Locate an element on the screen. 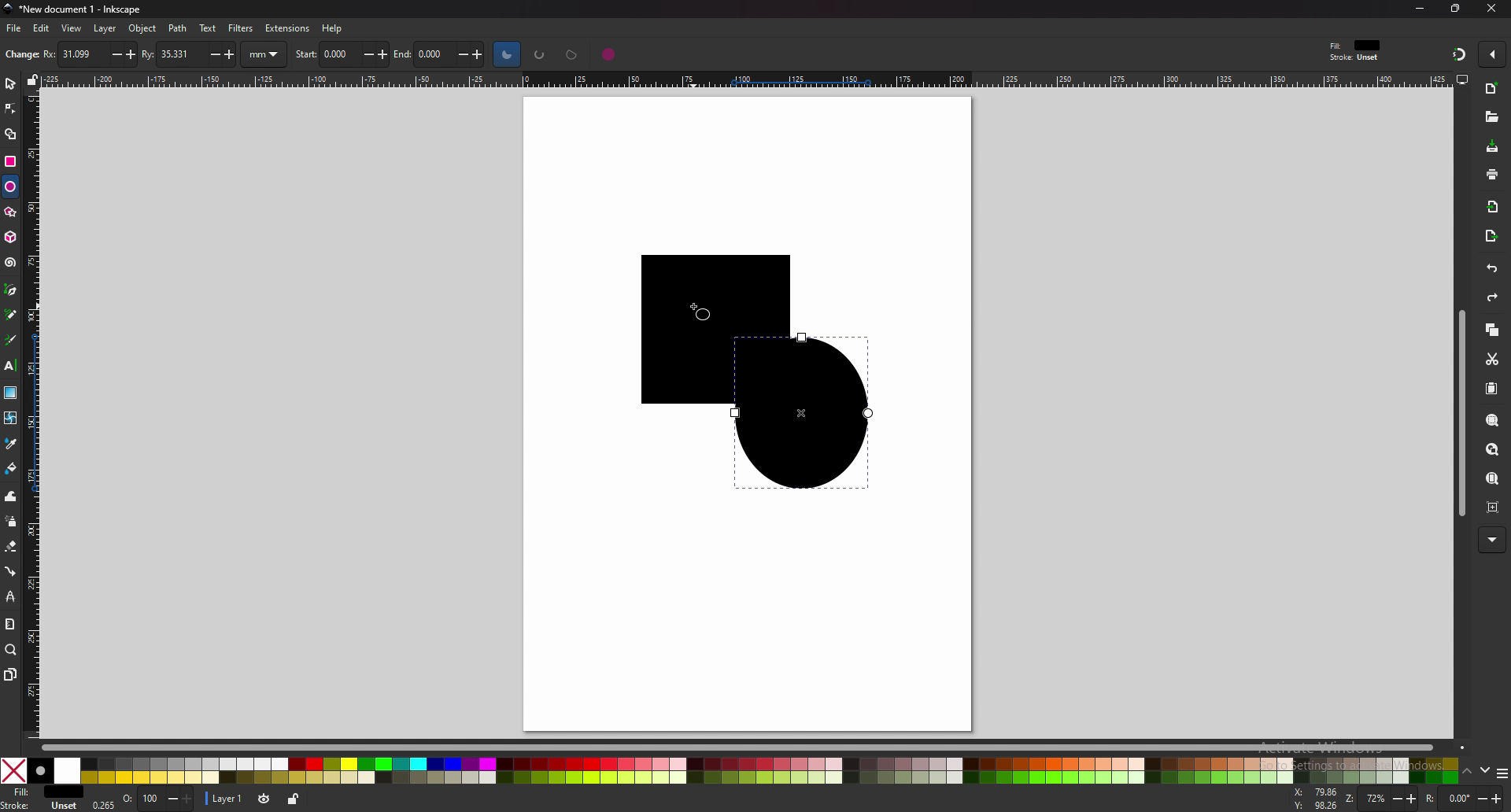 Image resolution: width=1511 pixels, height=812 pixels. toggle visibility is located at coordinates (265, 799).